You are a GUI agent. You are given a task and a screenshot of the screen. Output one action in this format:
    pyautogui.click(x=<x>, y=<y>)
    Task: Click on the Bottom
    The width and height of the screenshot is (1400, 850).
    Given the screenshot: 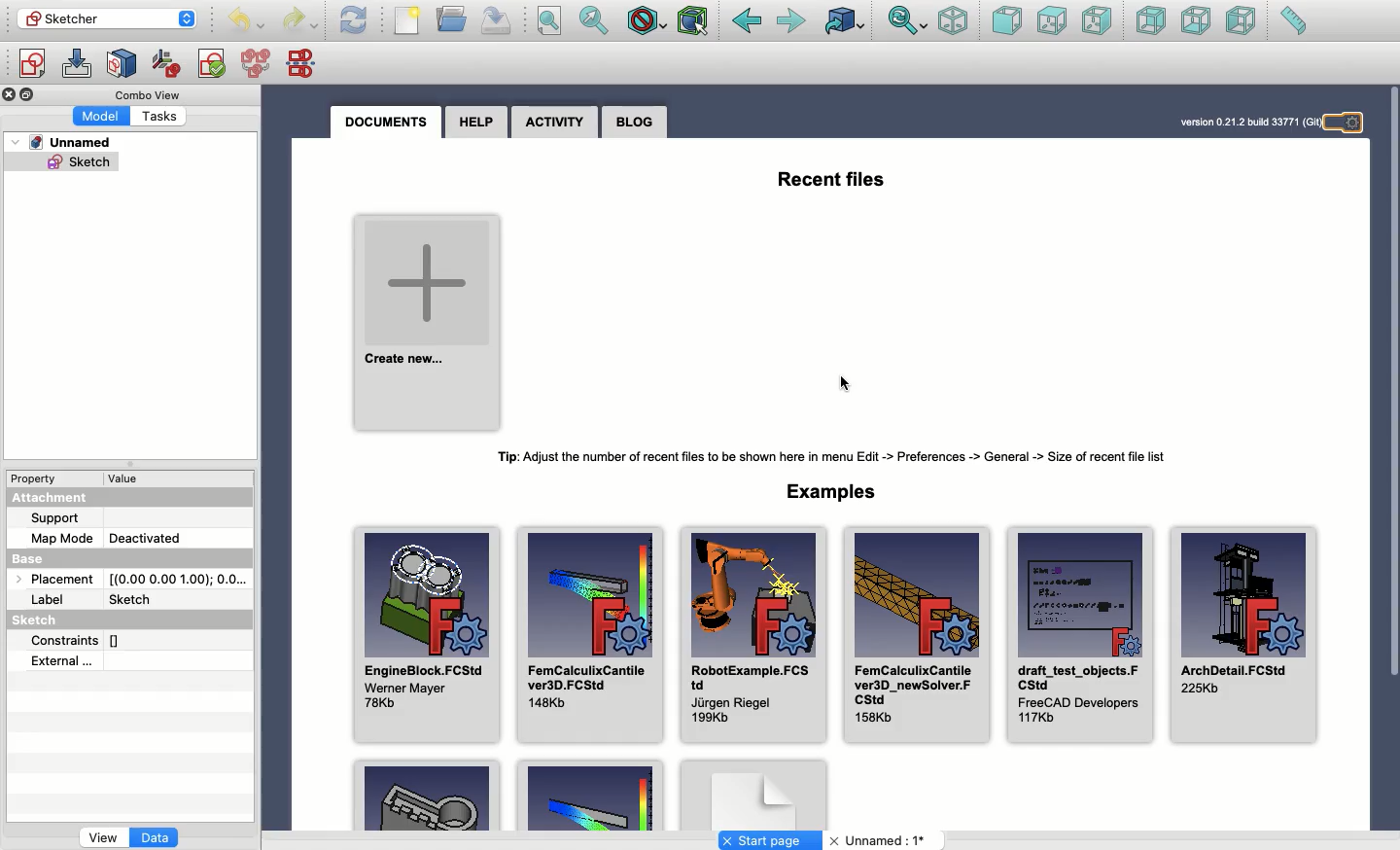 What is the action you would take?
    pyautogui.click(x=1197, y=21)
    